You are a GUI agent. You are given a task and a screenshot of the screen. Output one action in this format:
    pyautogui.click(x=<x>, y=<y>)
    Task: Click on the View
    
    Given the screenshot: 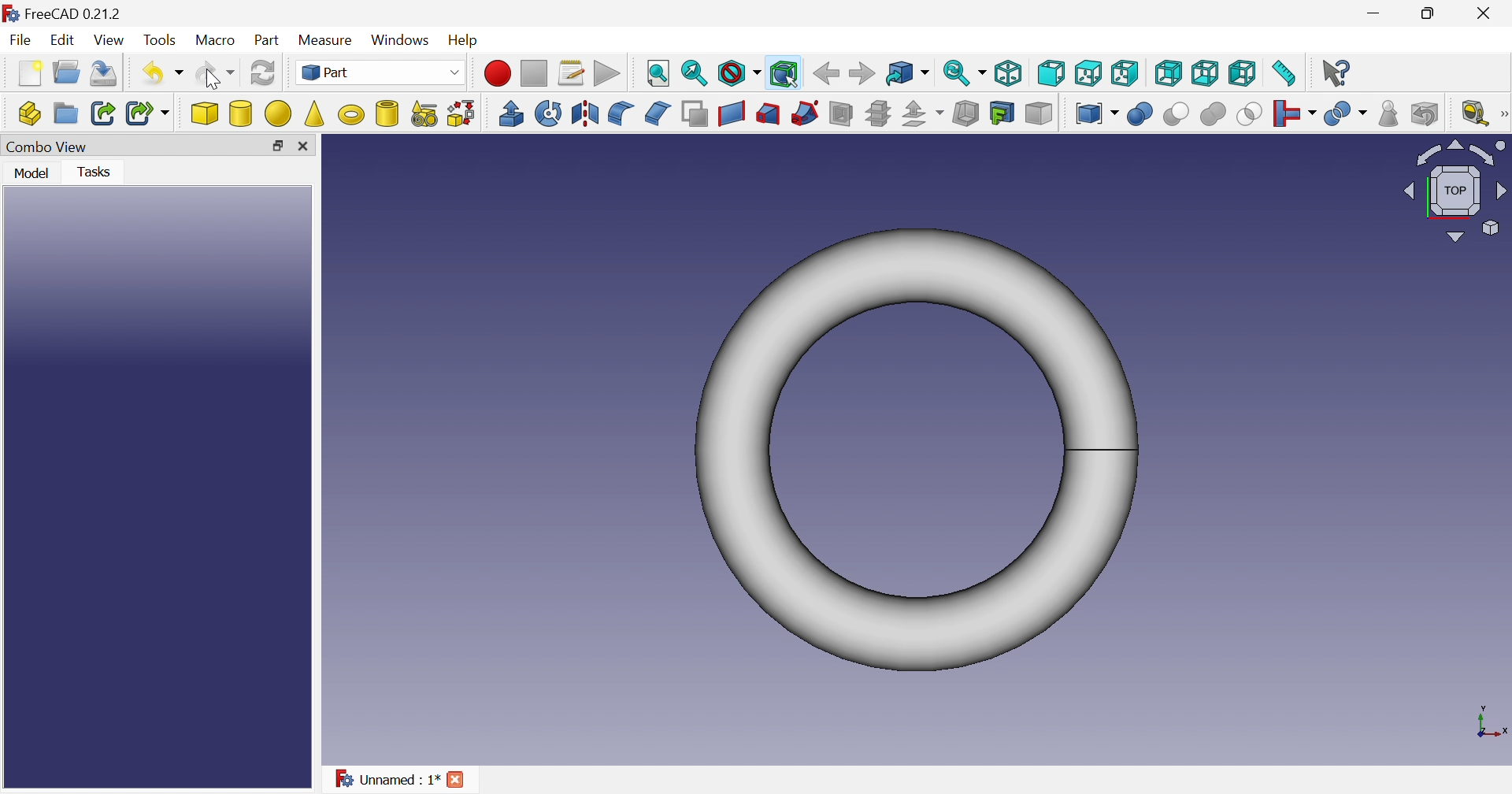 What is the action you would take?
    pyautogui.click(x=107, y=40)
    